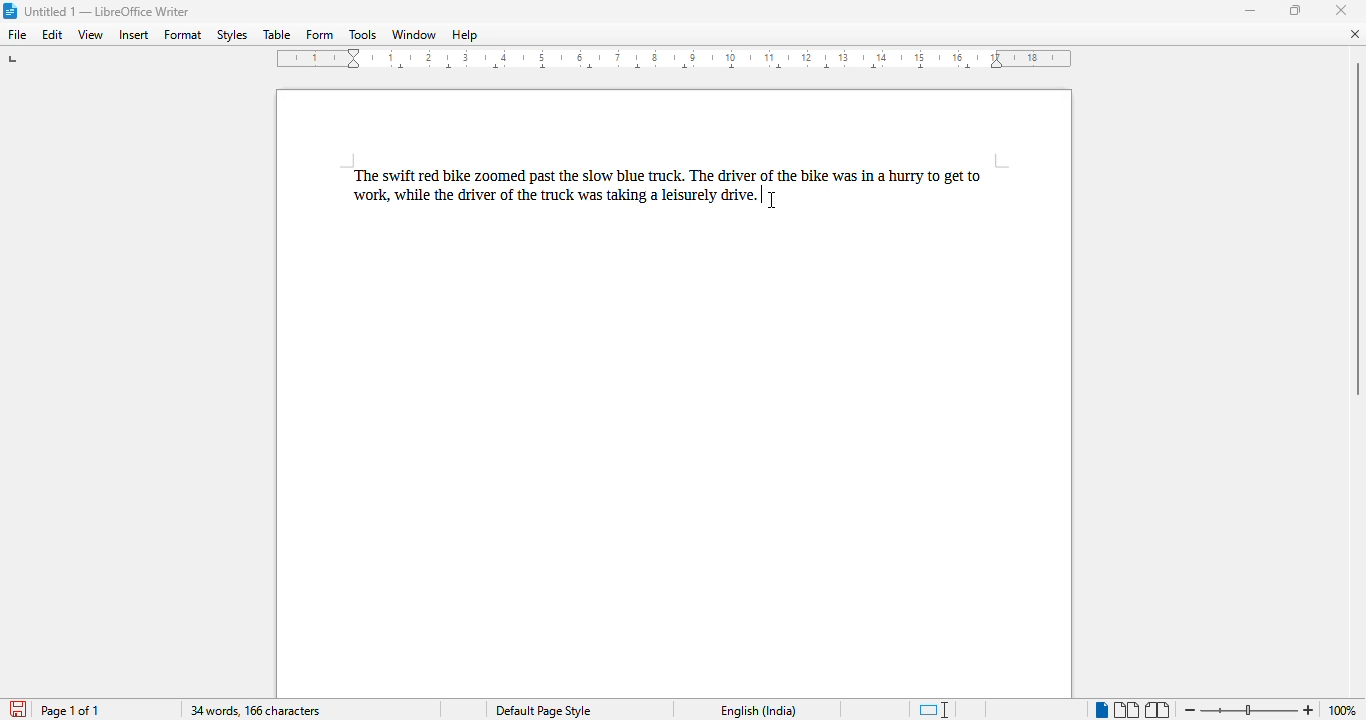 The image size is (1366, 720). I want to click on zoom in, so click(1309, 709).